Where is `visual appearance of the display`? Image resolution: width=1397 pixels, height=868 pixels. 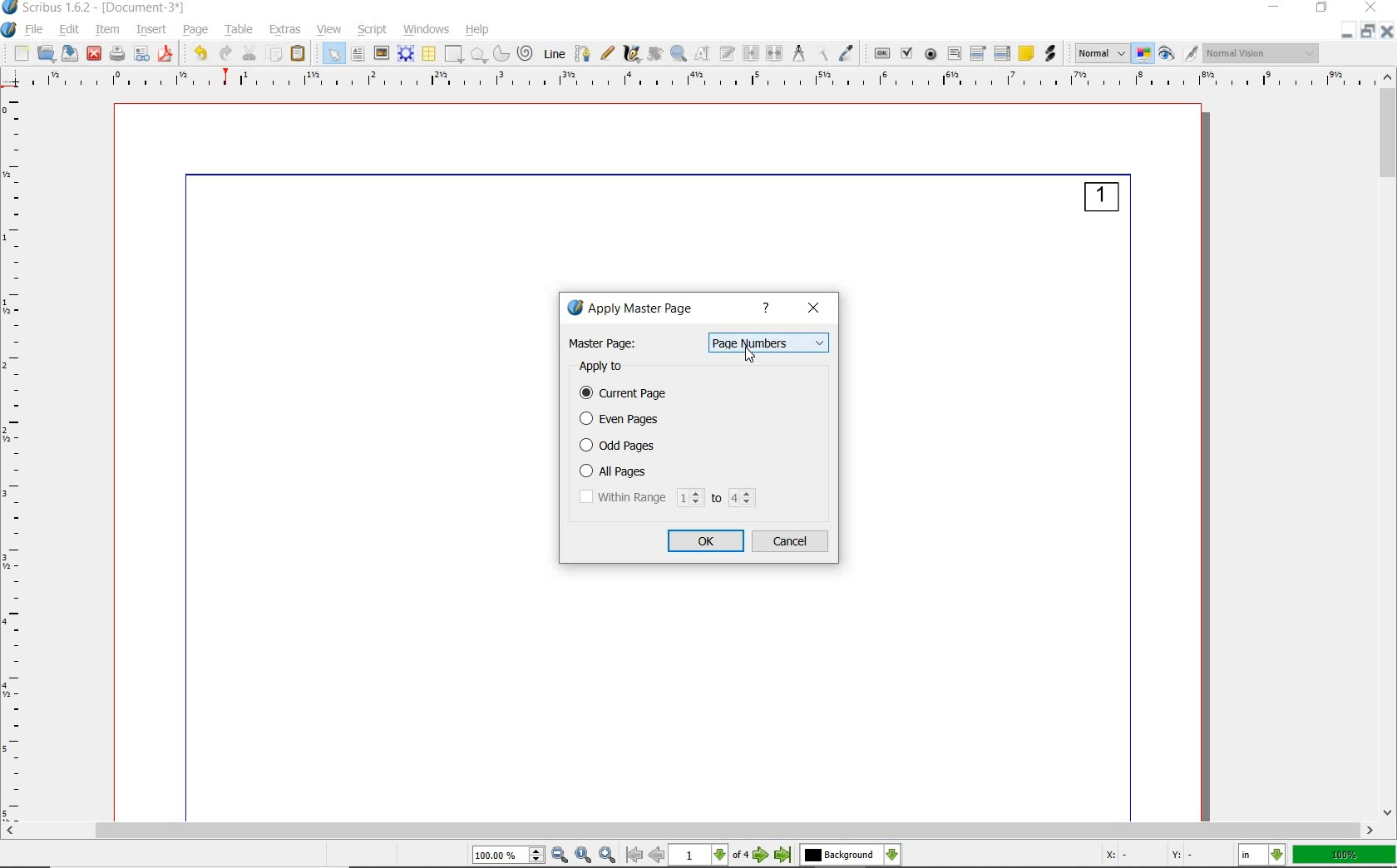
visual appearance of the display is located at coordinates (1263, 52).